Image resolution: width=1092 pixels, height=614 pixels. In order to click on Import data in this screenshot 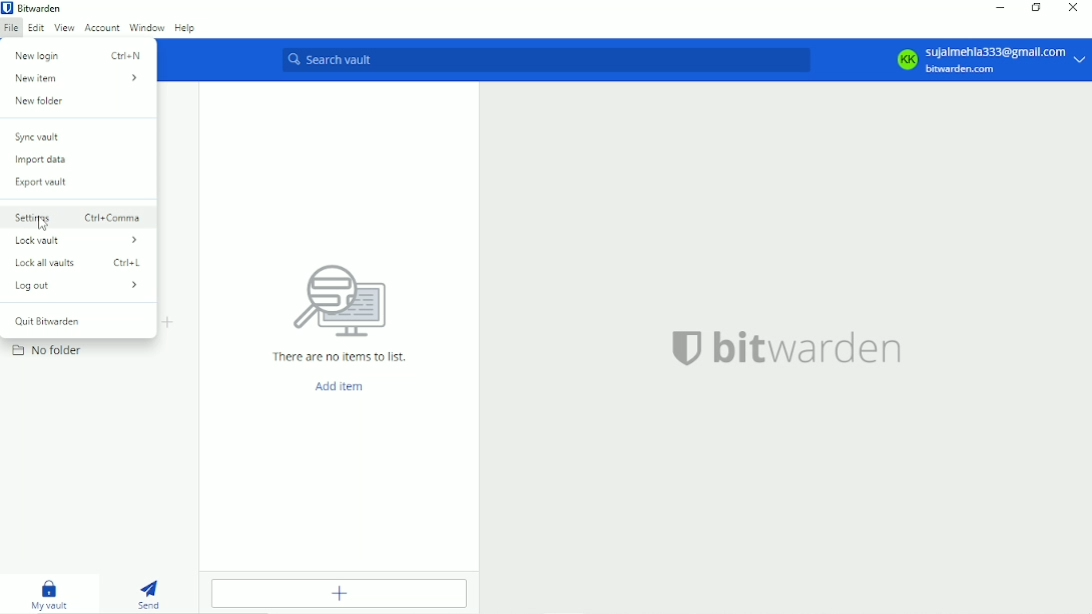, I will do `click(42, 159)`.